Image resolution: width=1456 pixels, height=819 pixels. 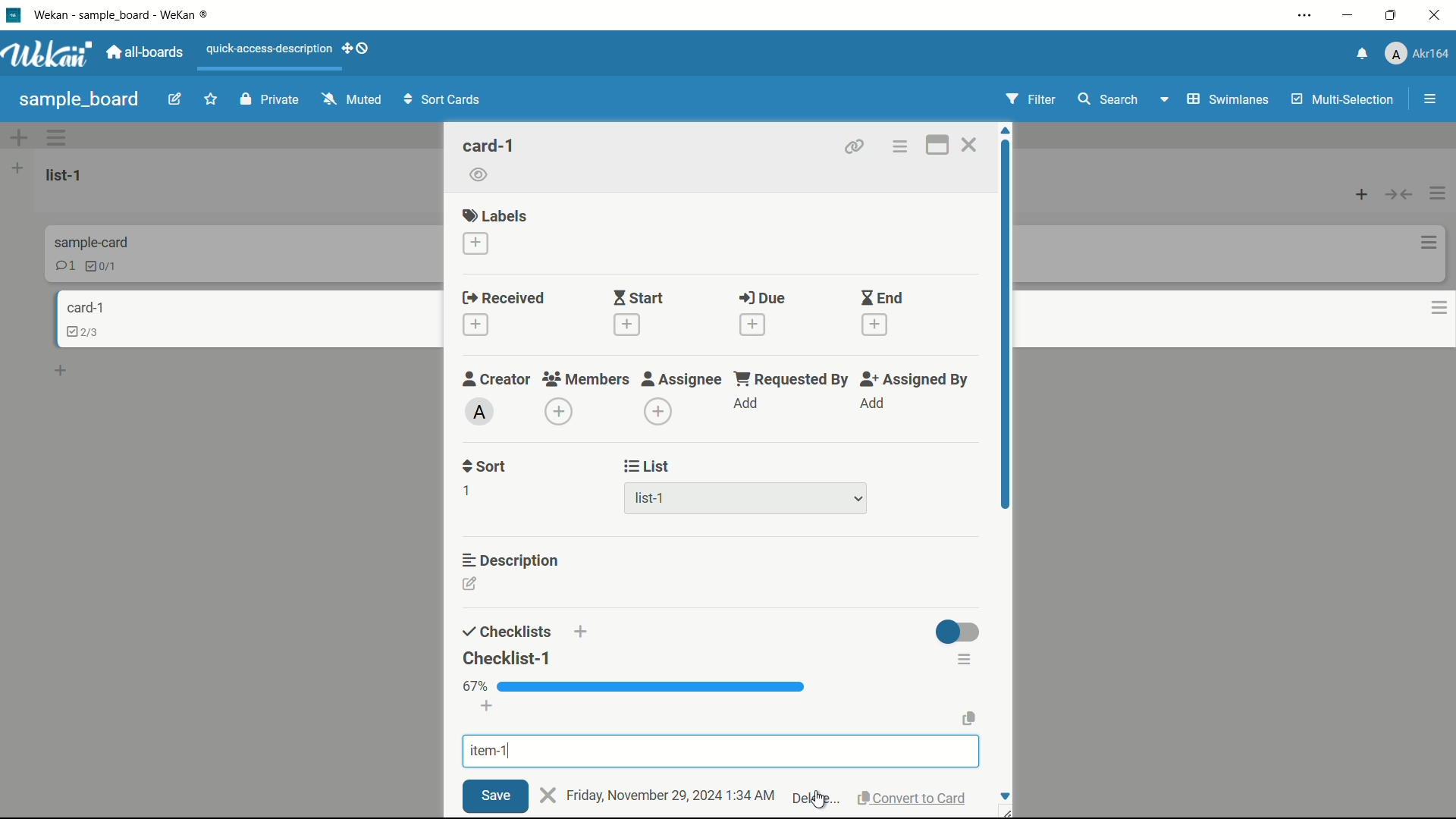 I want to click on creator, so click(x=498, y=380).